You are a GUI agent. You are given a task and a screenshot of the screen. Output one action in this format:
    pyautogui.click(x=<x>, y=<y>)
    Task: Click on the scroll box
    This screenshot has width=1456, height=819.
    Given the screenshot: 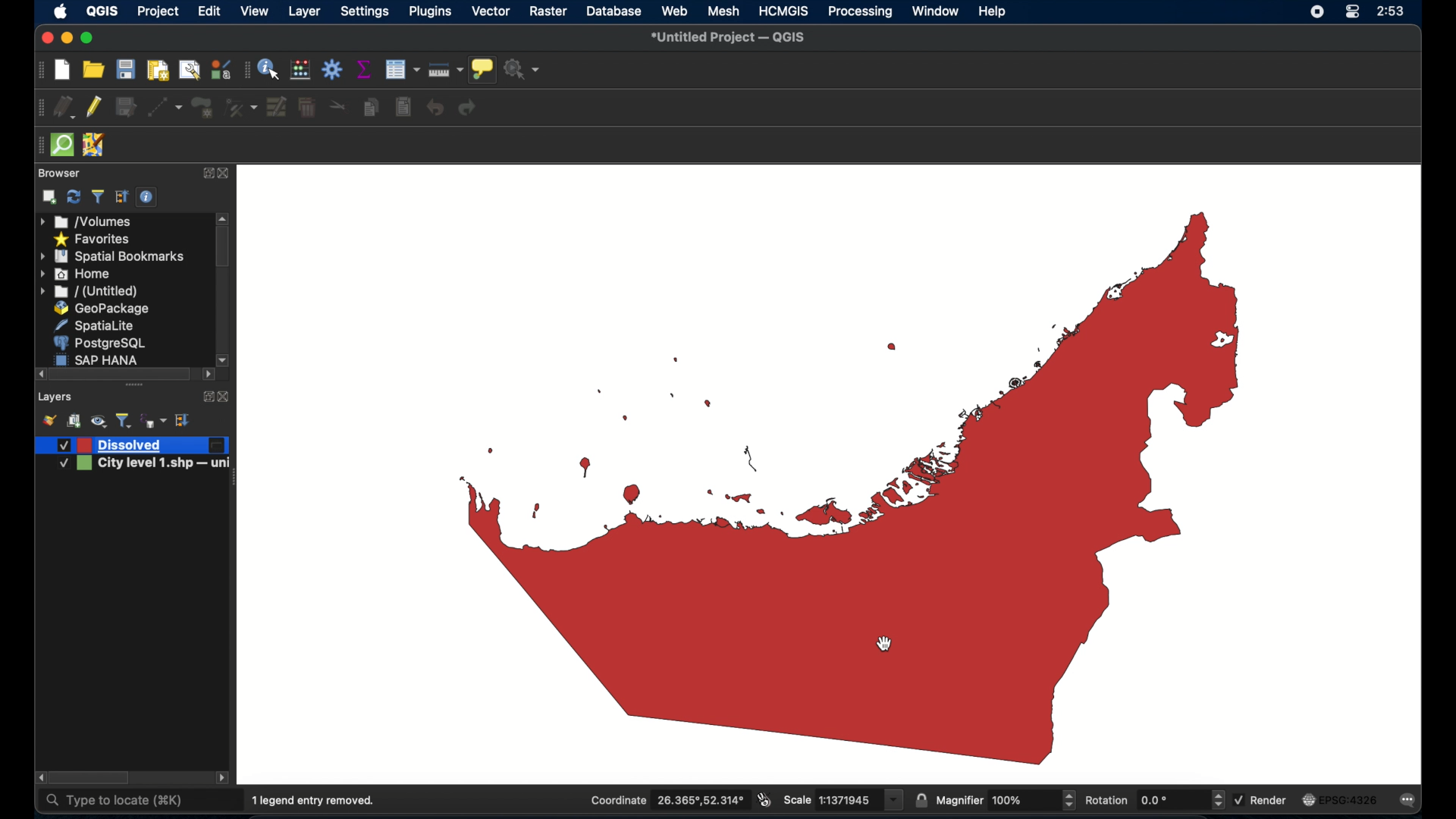 What is the action you would take?
    pyautogui.click(x=123, y=374)
    